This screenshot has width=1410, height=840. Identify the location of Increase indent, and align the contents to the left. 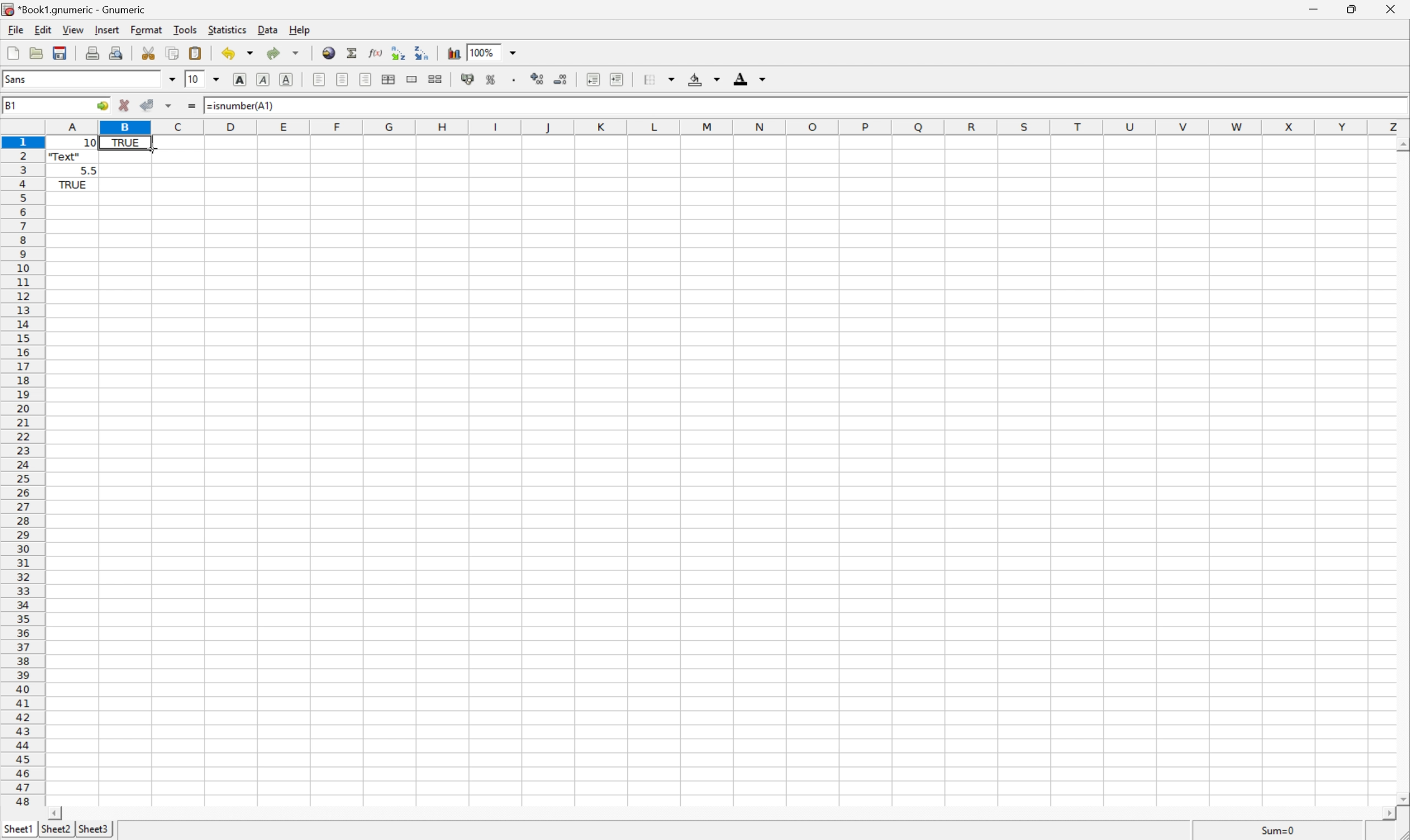
(619, 79).